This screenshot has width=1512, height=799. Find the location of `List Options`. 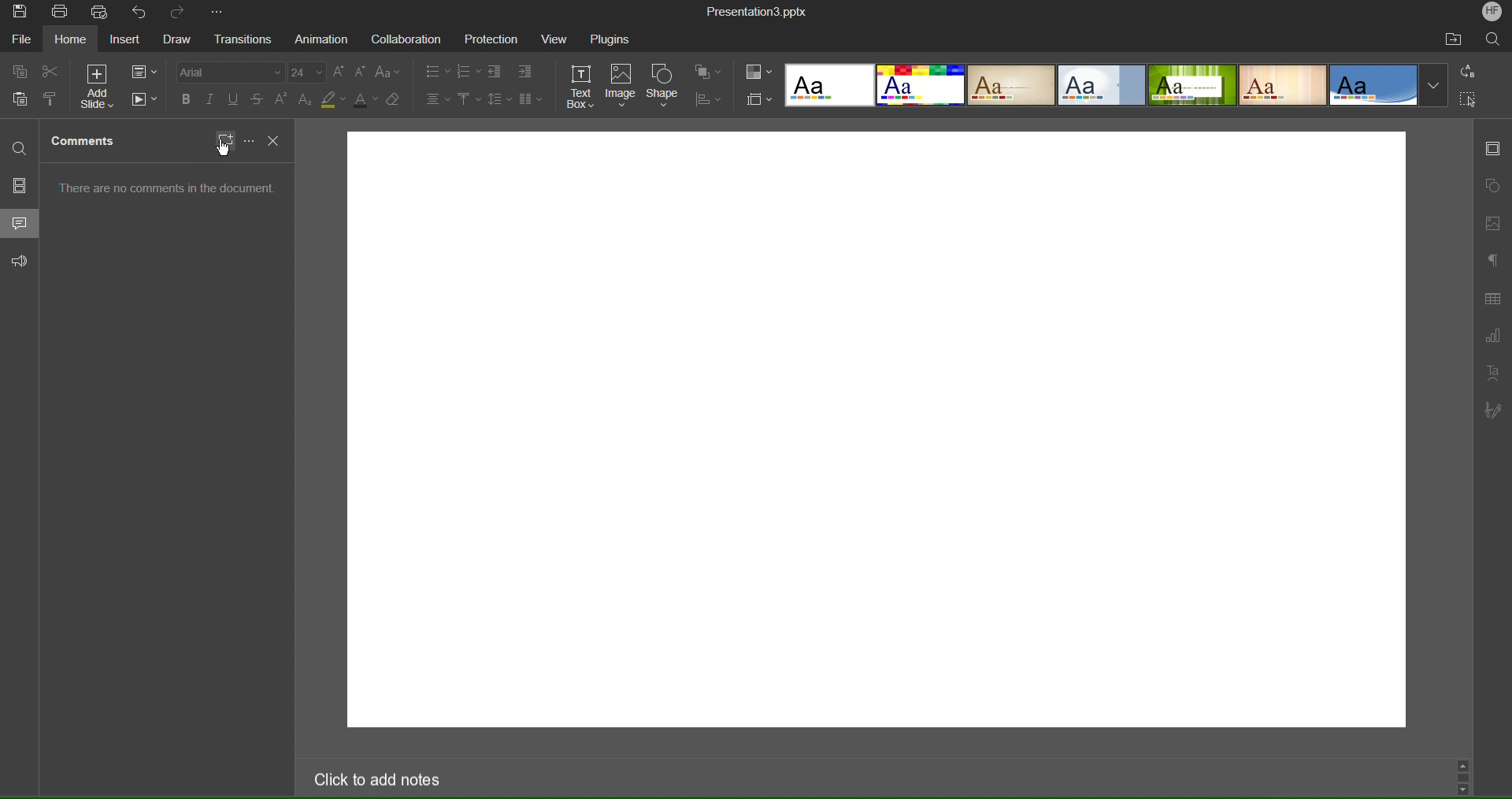

List Options is located at coordinates (435, 72).